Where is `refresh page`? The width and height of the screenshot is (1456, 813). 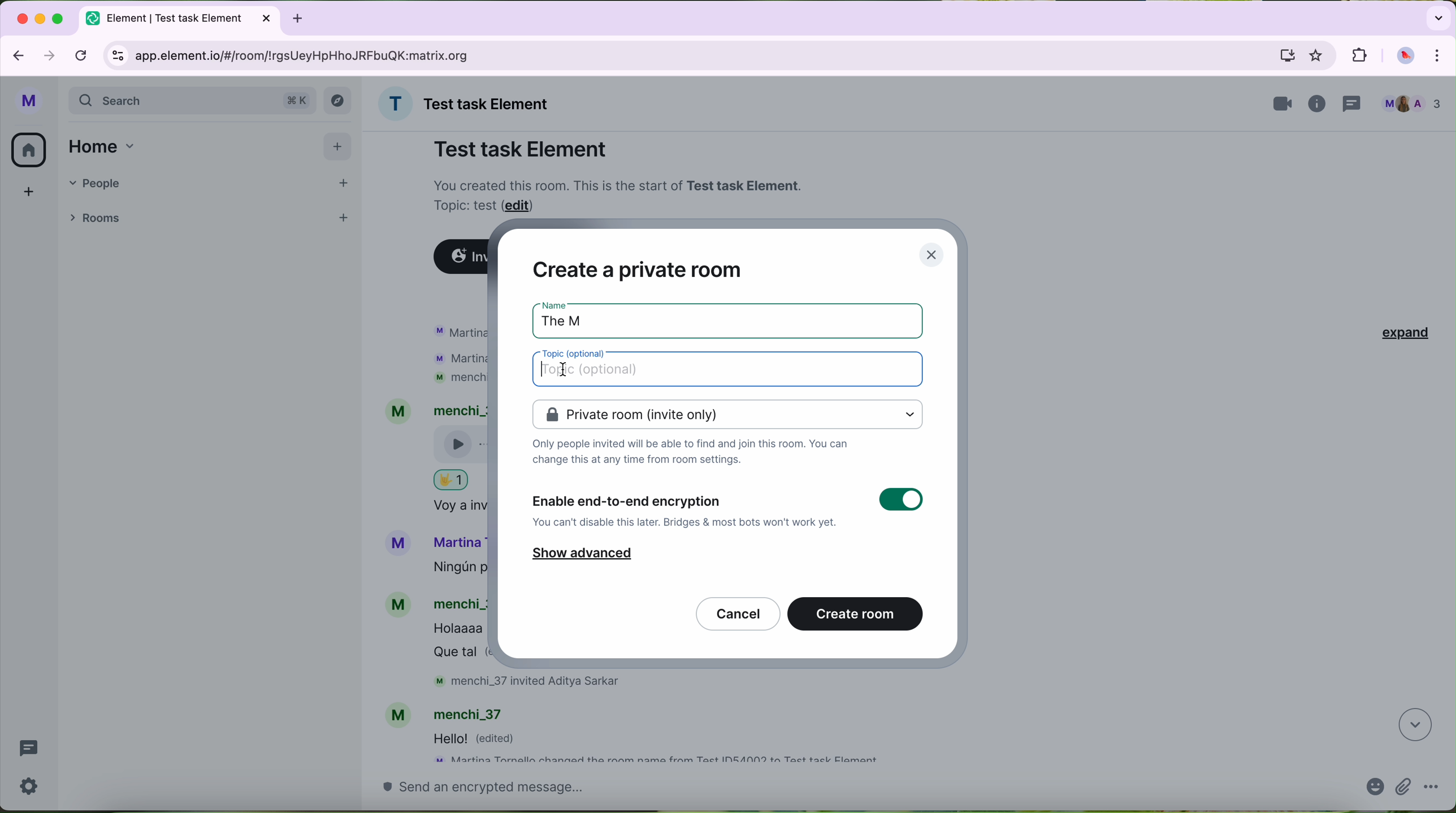
refresh page is located at coordinates (82, 54).